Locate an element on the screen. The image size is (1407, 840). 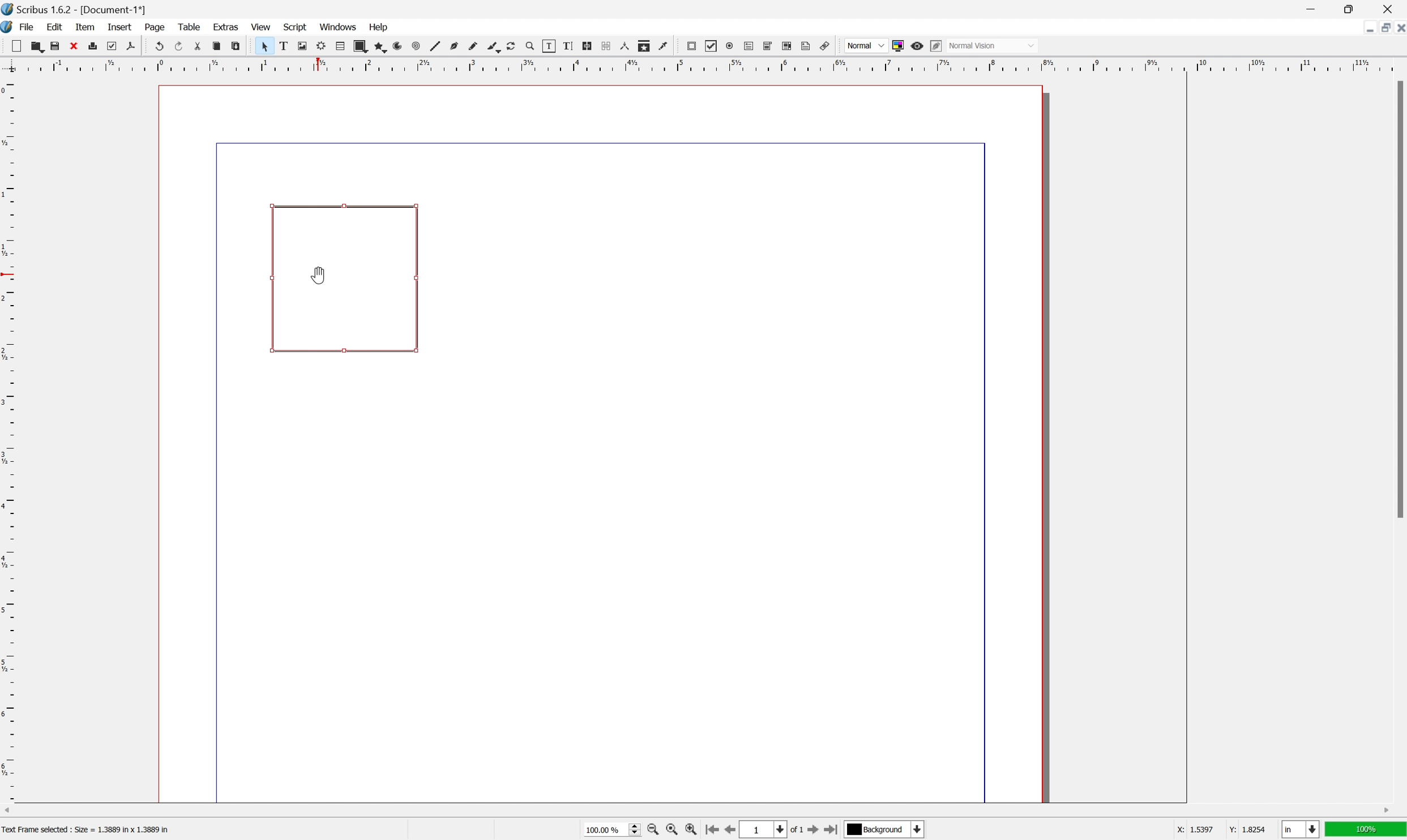
normal is located at coordinates (866, 45).